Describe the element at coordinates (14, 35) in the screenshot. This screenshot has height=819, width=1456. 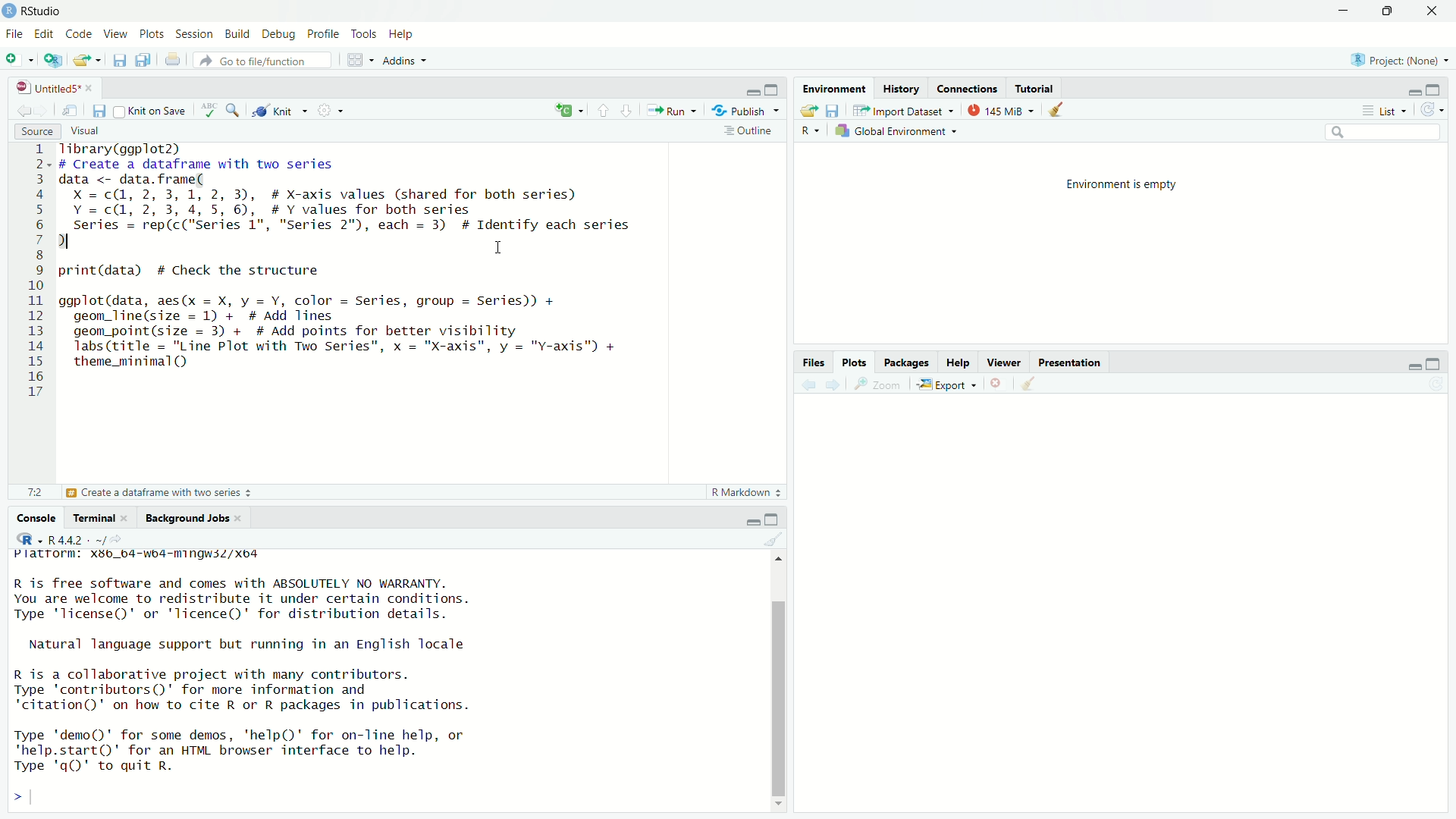
I see `File` at that location.